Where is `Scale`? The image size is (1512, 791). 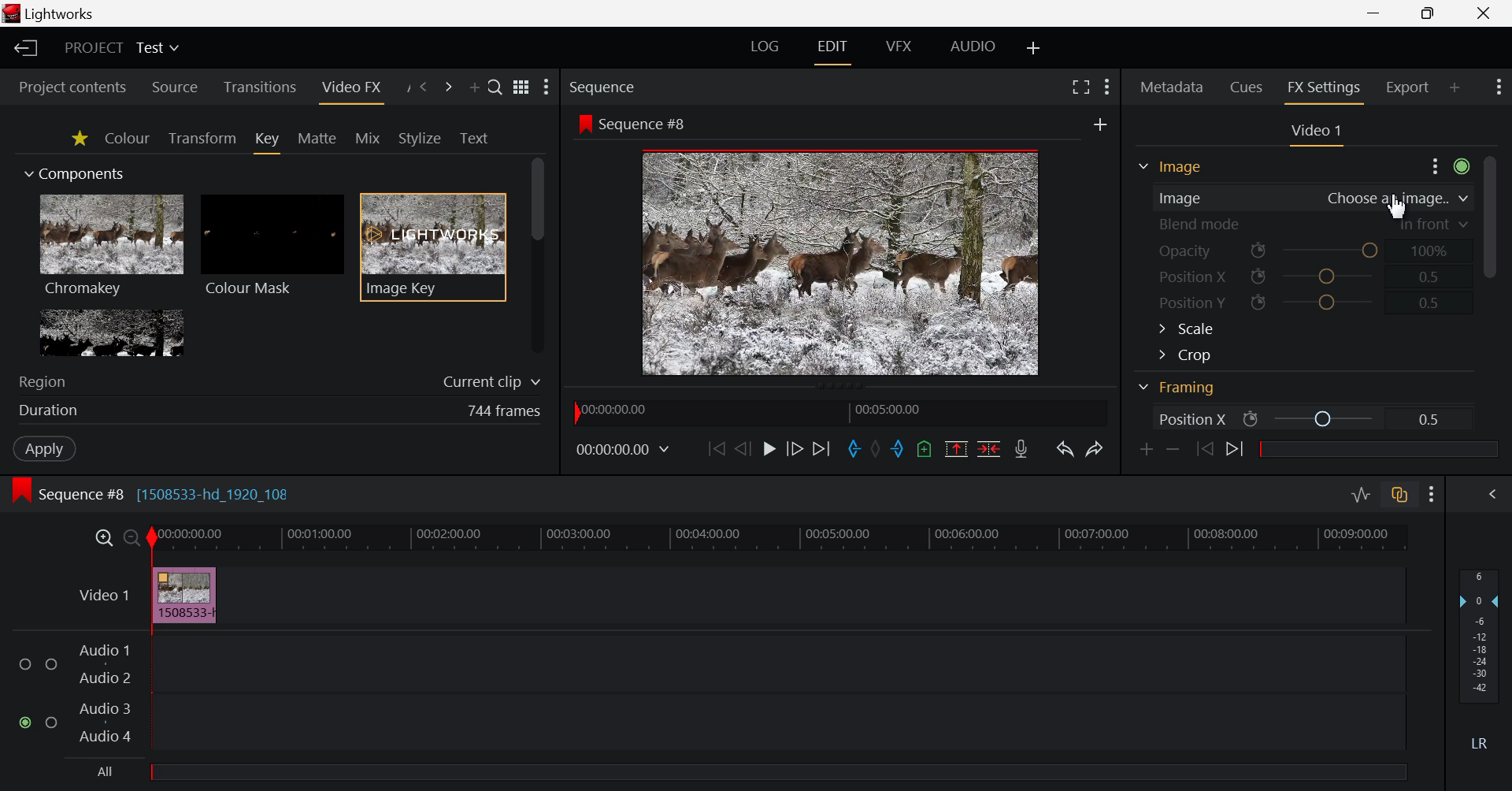 Scale is located at coordinates (1251, 329).